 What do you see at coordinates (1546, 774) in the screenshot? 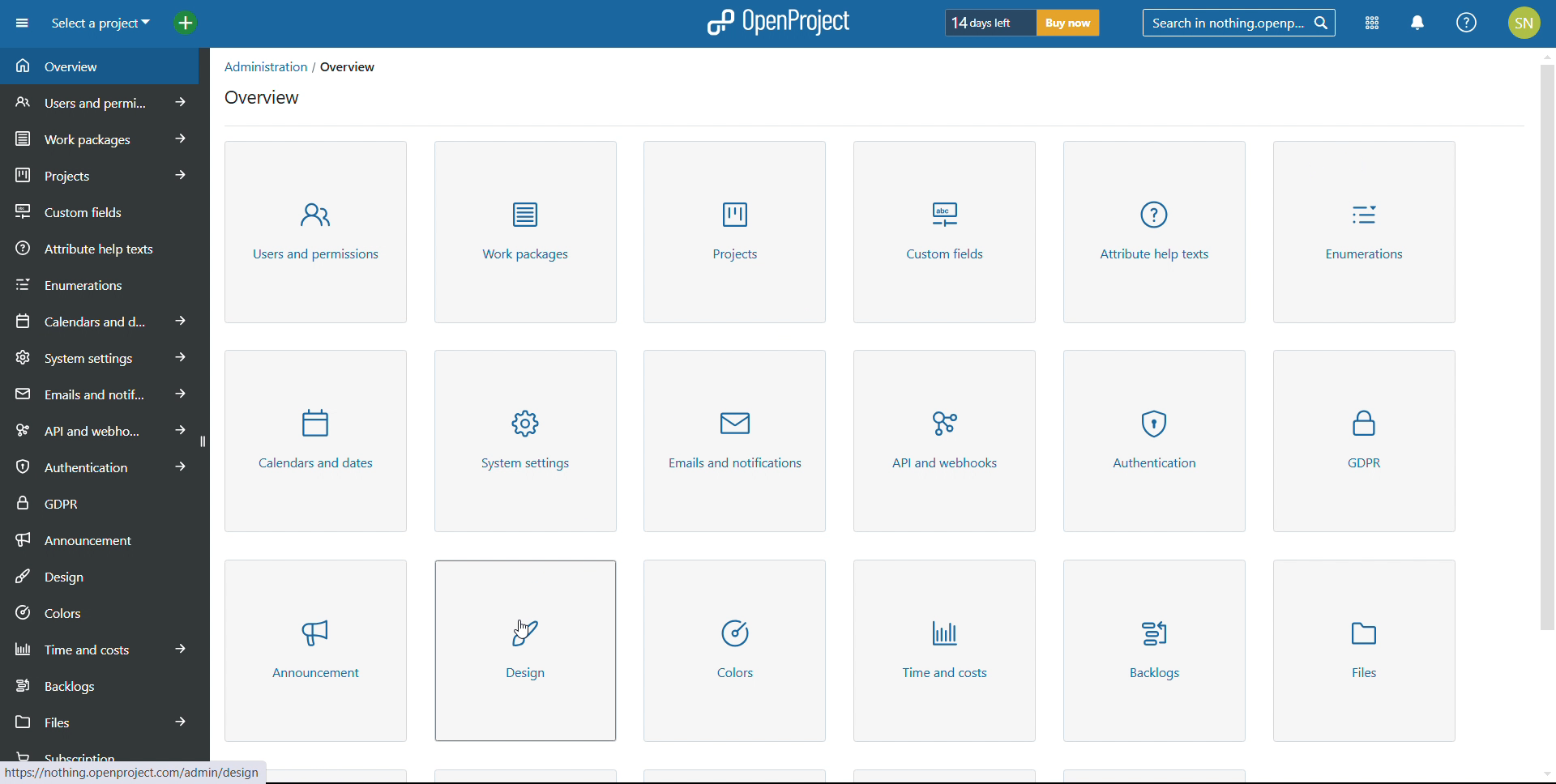
I see `scroll down` at bounding box center [1546, 774].